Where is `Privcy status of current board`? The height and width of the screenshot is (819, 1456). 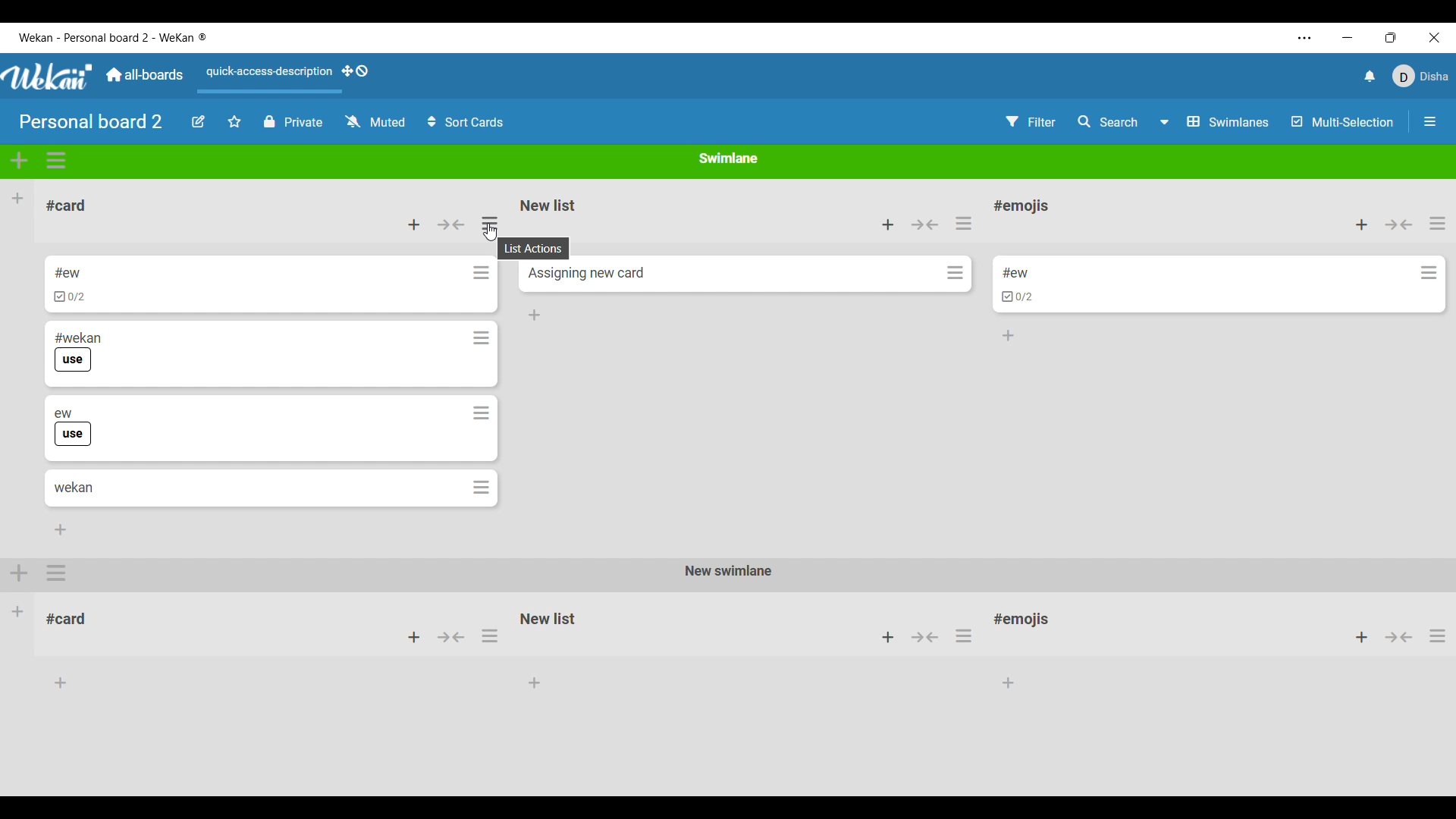 Privcy status of current board is located at coordinates (293, 121).